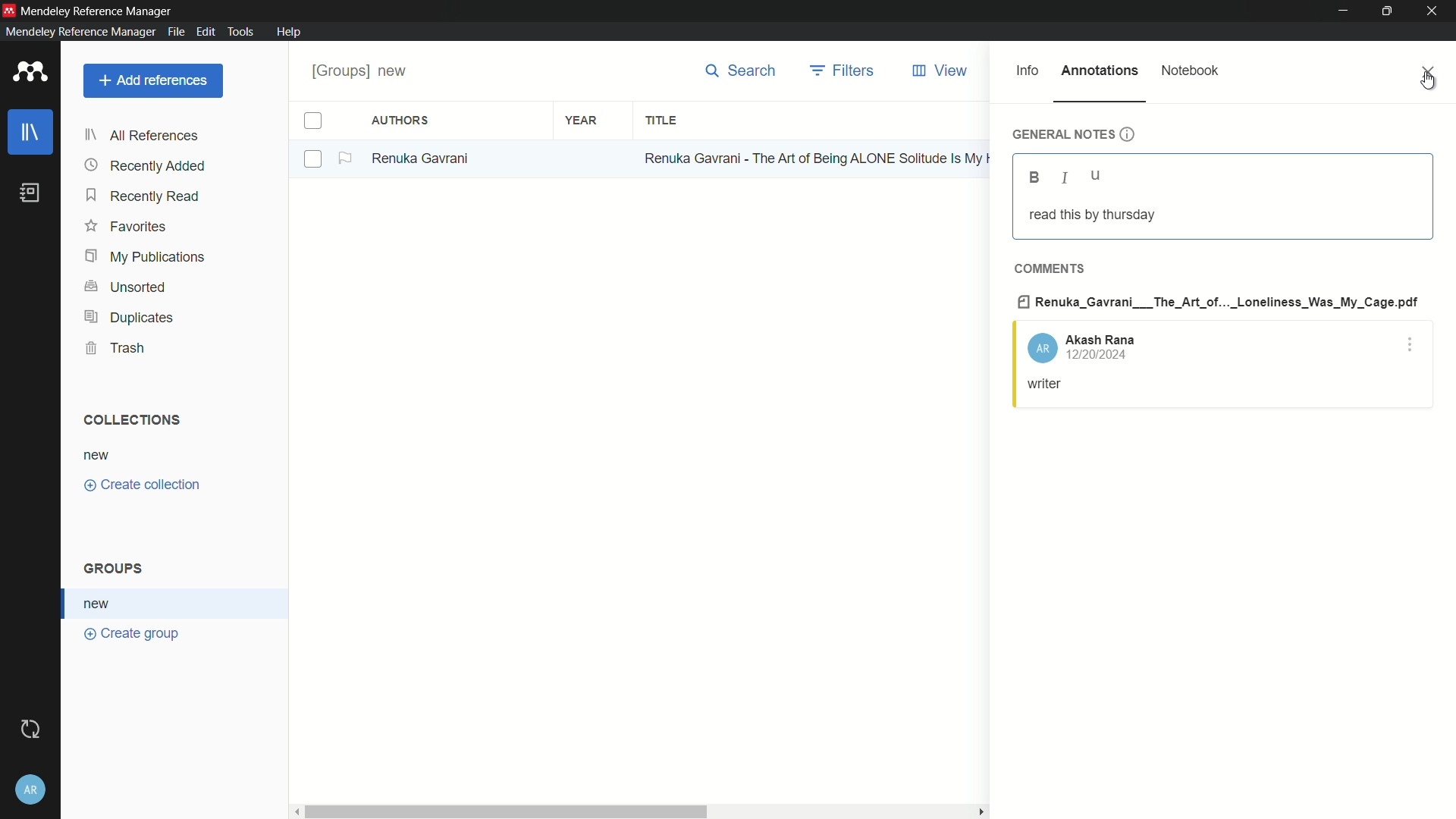  What do you see at coordinates (843, 71) in the screenshot?
I see `filters` at bounding box center [843, 71].